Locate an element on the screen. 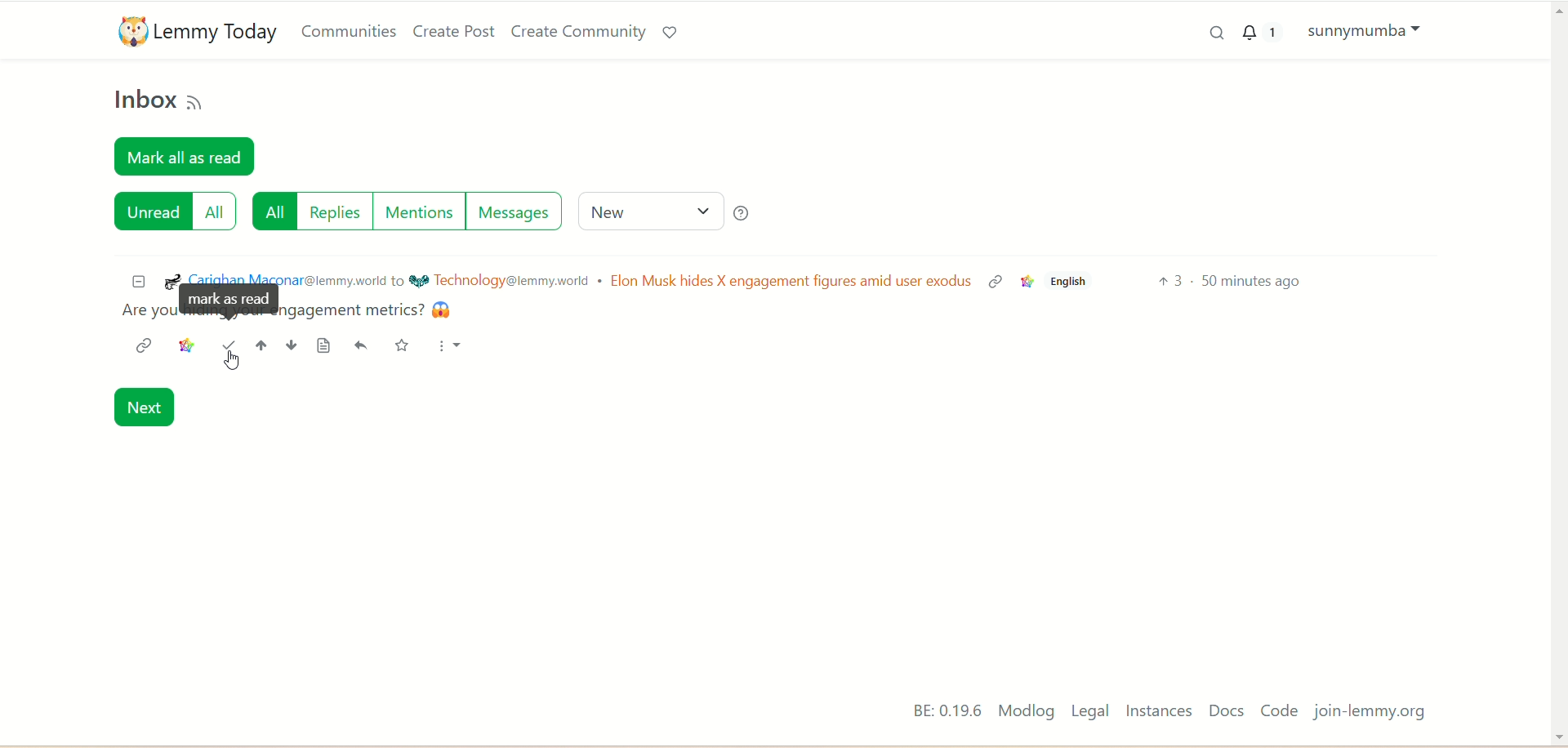 The image size is (1568, 748). BE: 0.19.6 (version) is located at coordinates (938, 708).